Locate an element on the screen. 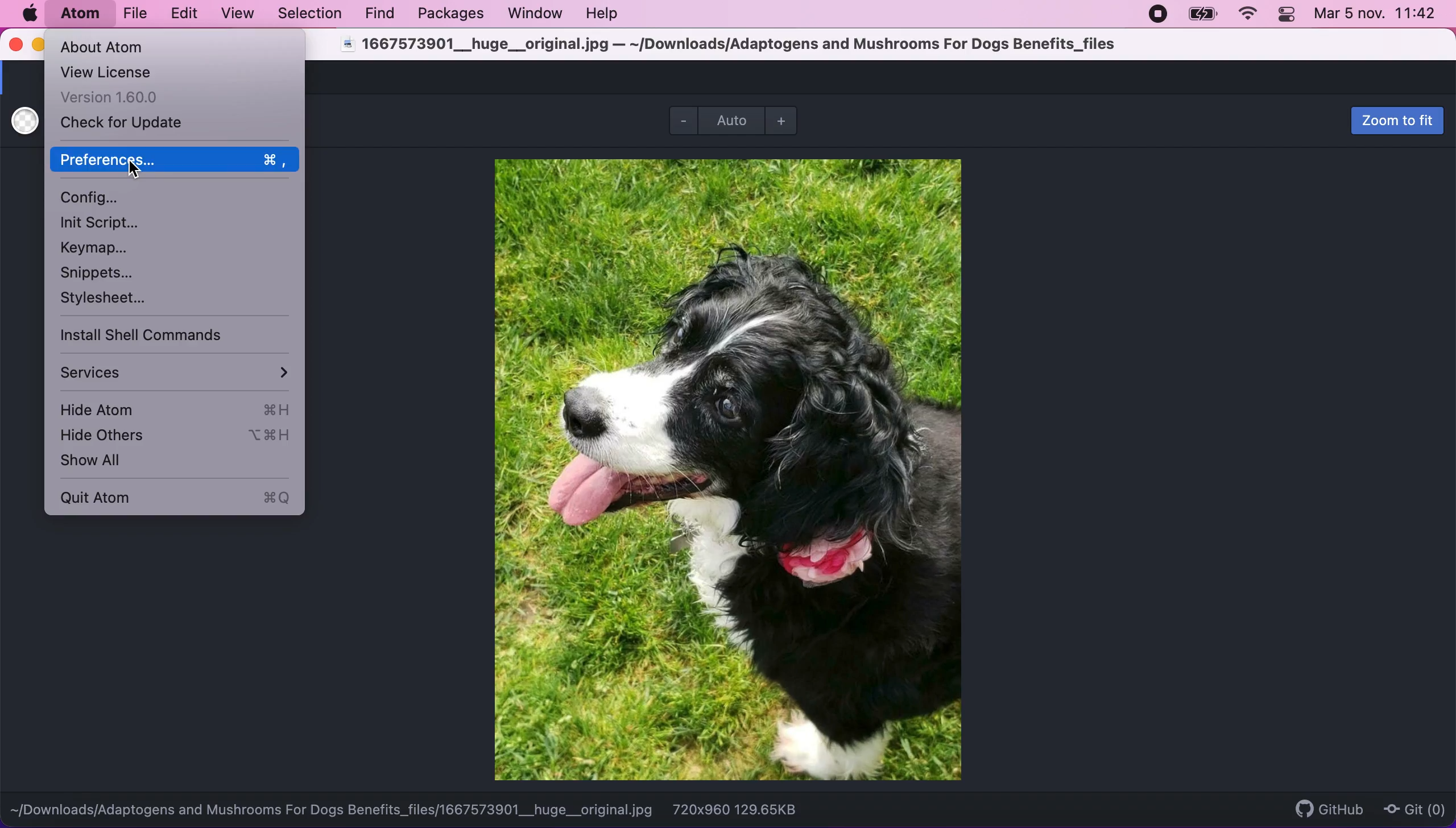 The image size is (1456, 828). snippets is located at coordinates (103, 274).